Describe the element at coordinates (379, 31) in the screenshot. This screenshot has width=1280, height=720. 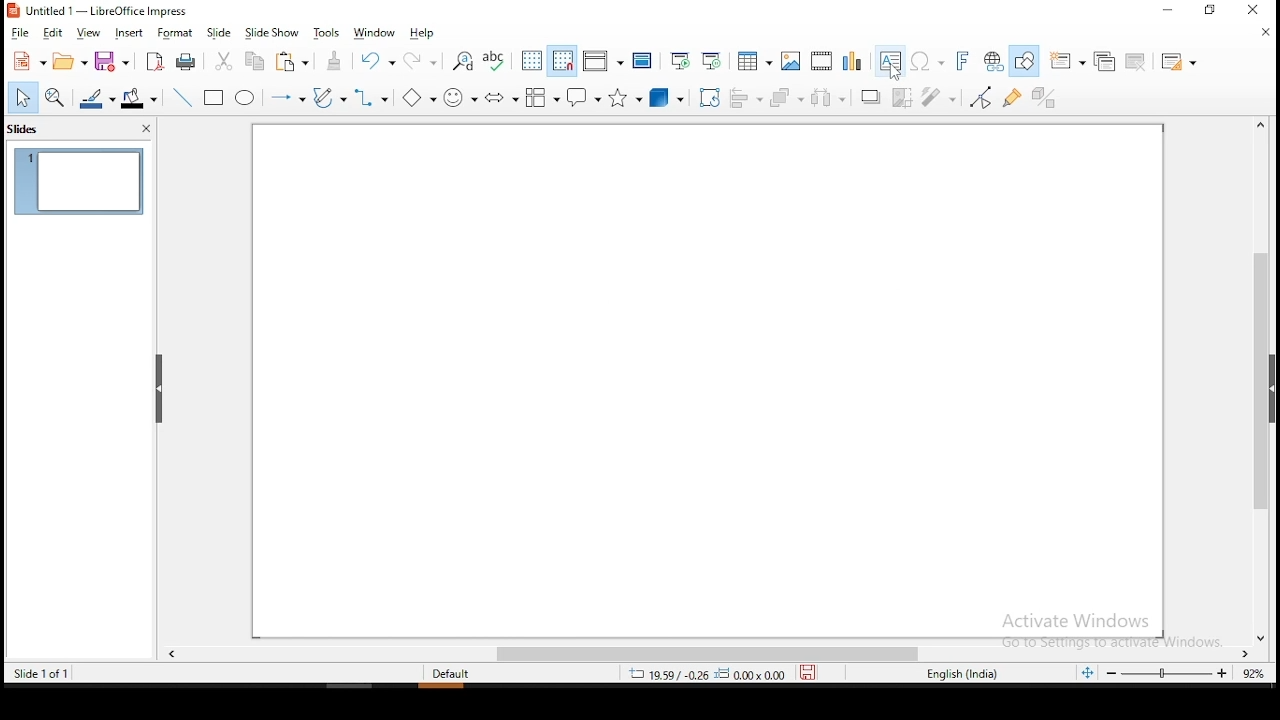
I see `window` at that location.